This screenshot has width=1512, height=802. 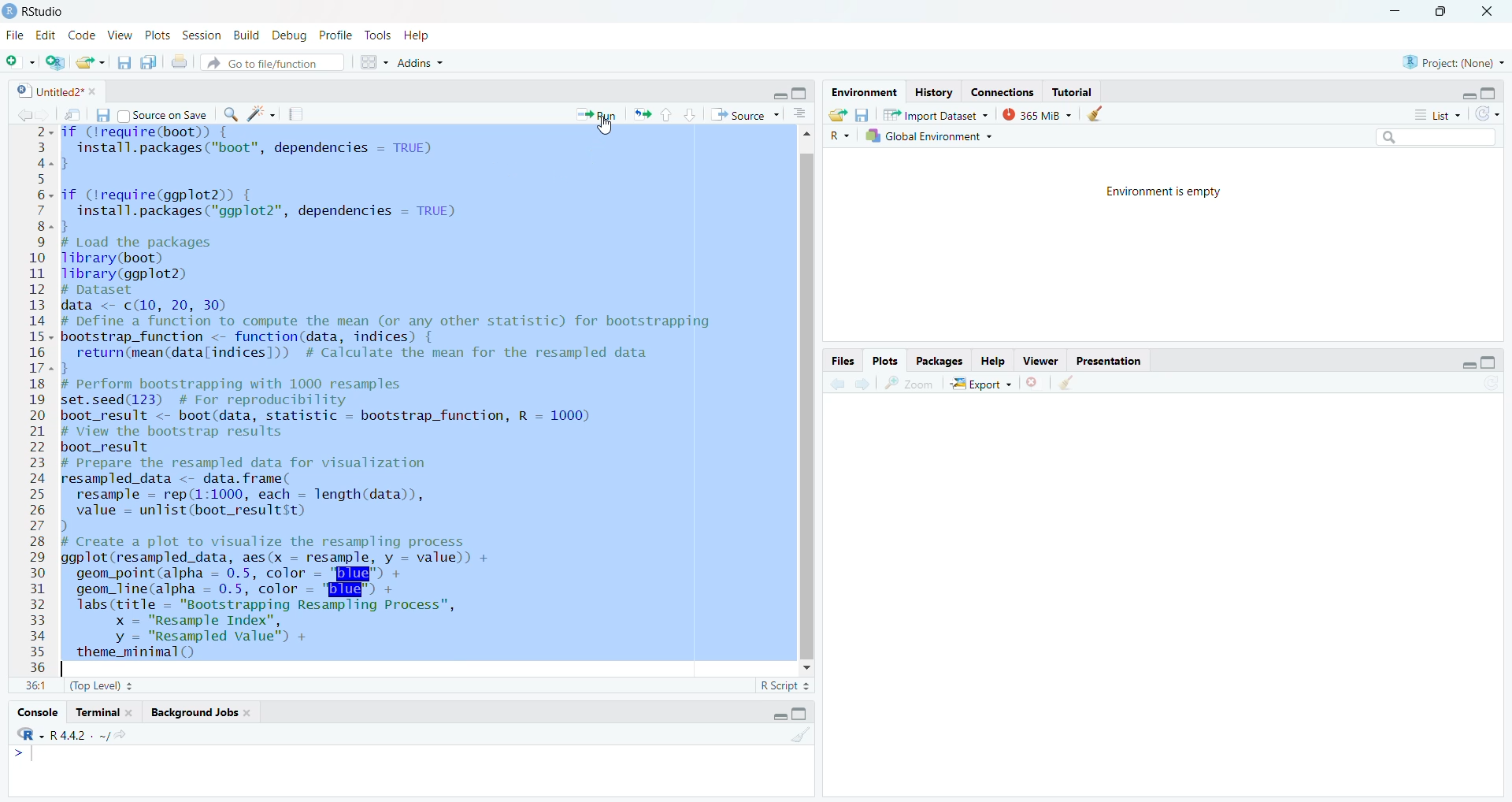 I want to click on R, so click(x=839, y=136).